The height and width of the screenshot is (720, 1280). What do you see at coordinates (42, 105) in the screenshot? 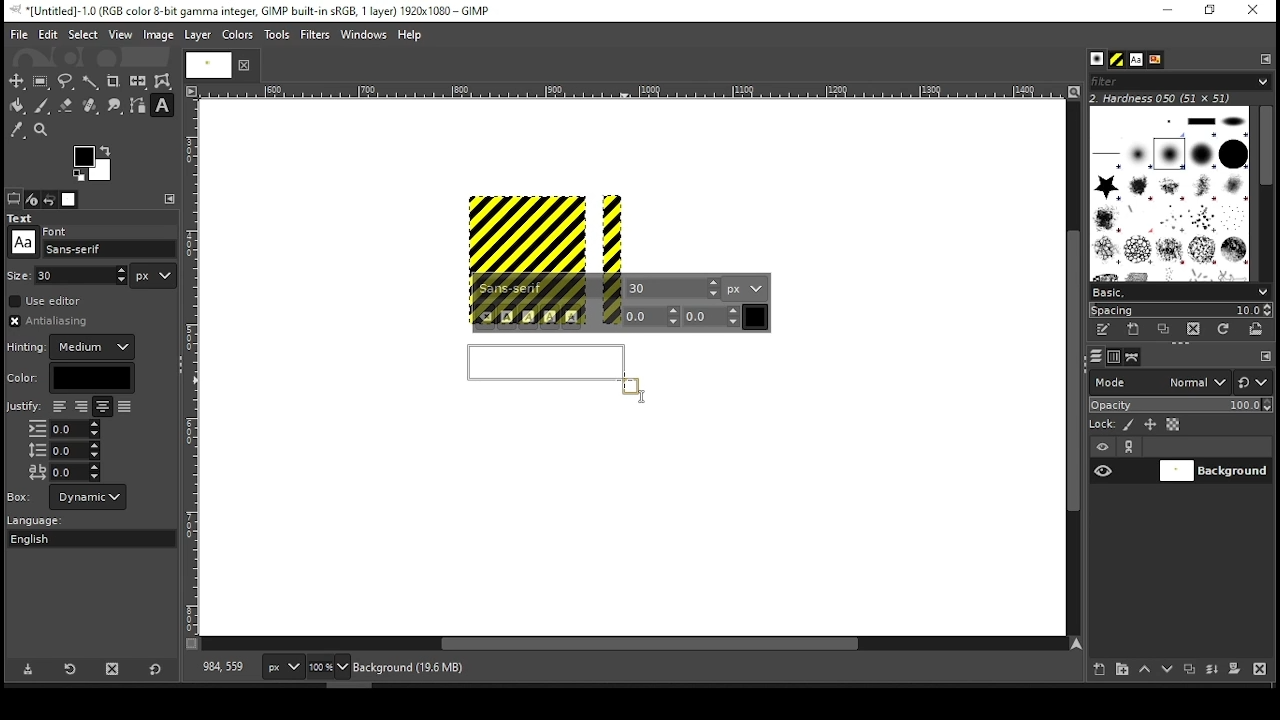
I see `paint brush tool` at bounding box center [42, 105].